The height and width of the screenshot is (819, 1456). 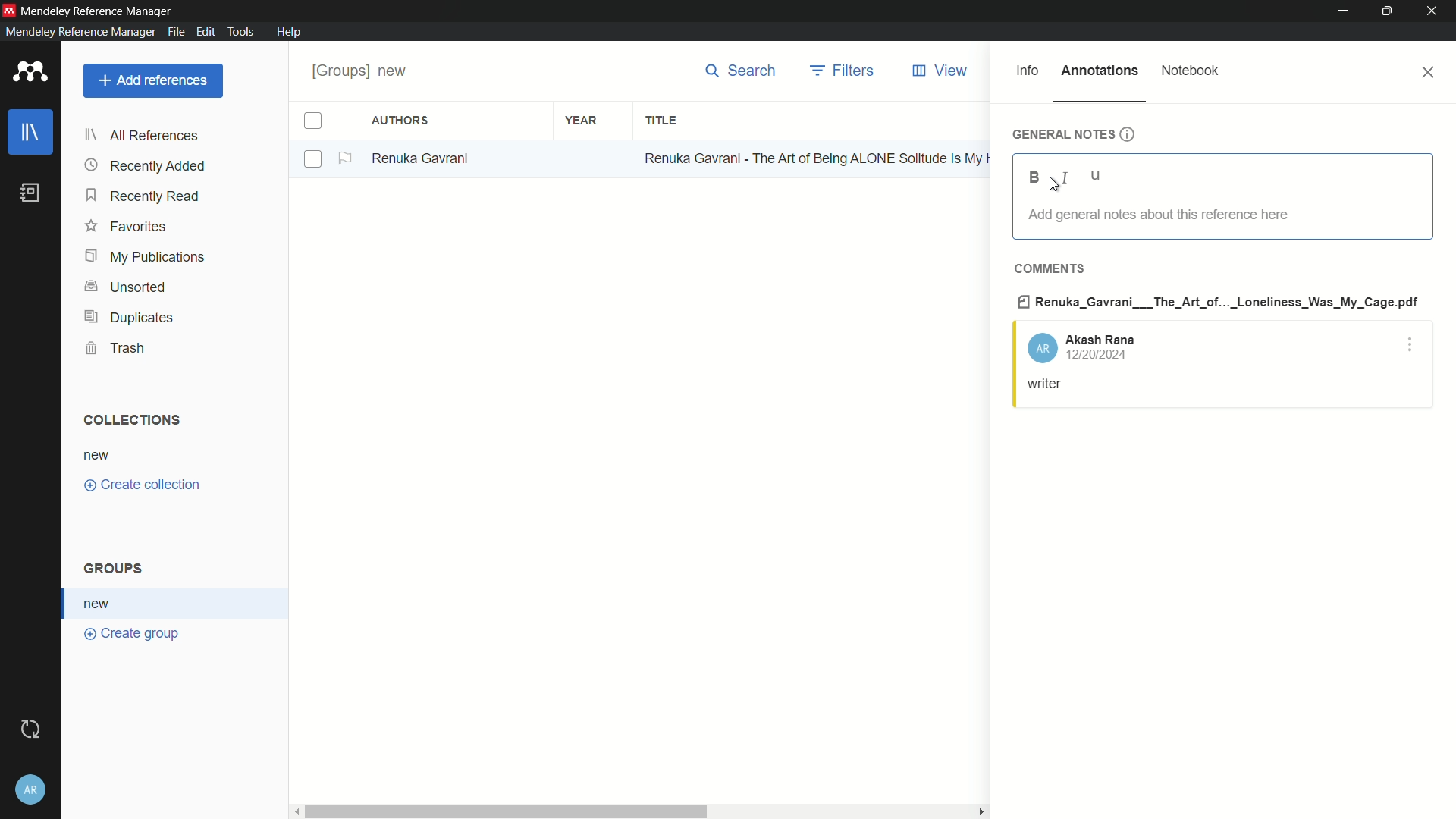 What do you see at coordinates (978, 811) in the screenshot?
I see `scroll right` at bounding box center [978, 811].